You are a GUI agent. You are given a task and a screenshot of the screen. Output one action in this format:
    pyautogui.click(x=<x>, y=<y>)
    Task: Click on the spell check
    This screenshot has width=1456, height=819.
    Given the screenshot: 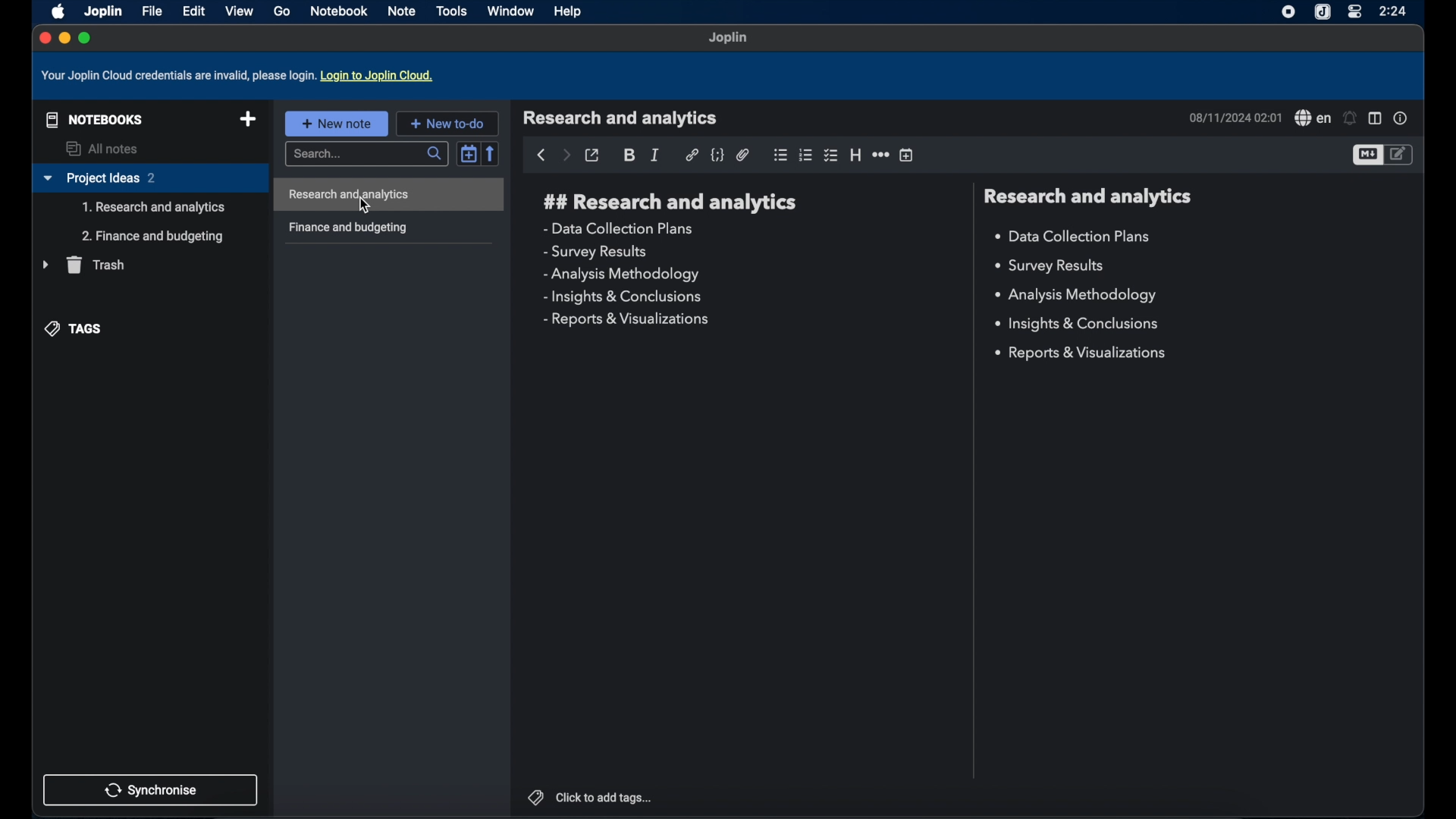 What is the action you would take?
    pyautogui.click(x=1312, y=118)
    